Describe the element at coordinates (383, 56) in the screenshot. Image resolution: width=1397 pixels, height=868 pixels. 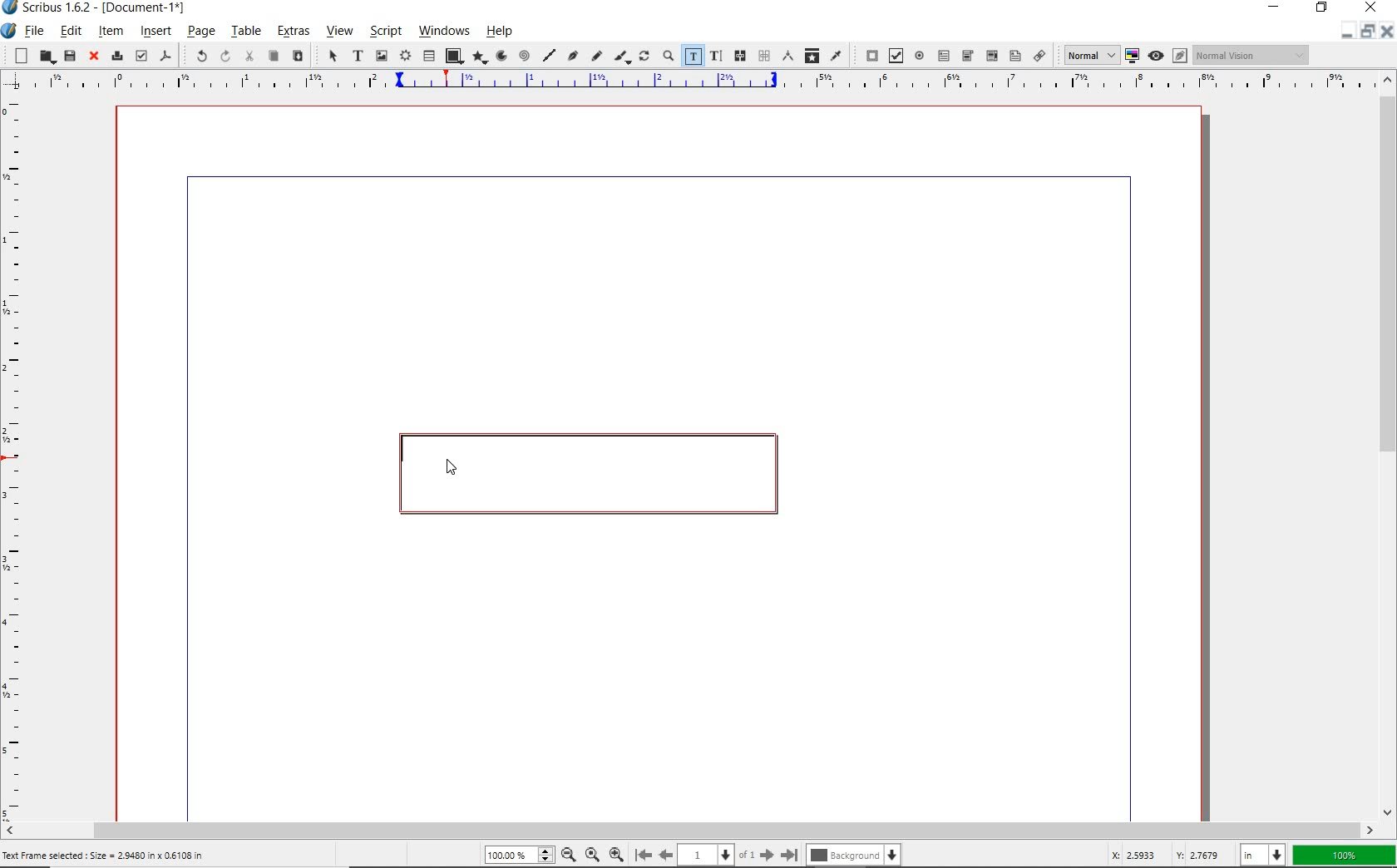
I see `image frame` at that location.